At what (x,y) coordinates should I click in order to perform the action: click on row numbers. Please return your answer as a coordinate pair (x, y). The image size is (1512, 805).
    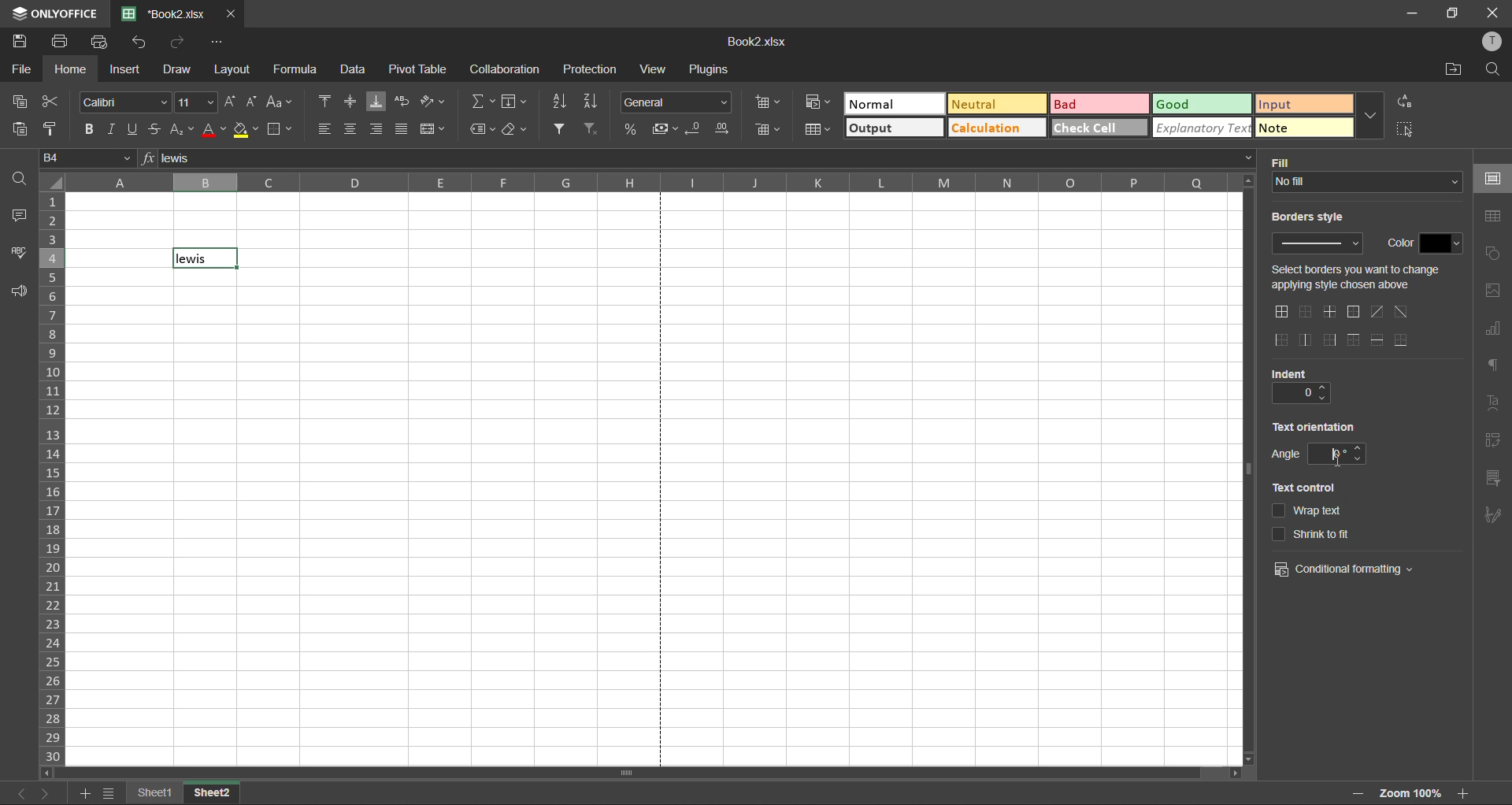
    Looking at the image, I should click on (52, 478).